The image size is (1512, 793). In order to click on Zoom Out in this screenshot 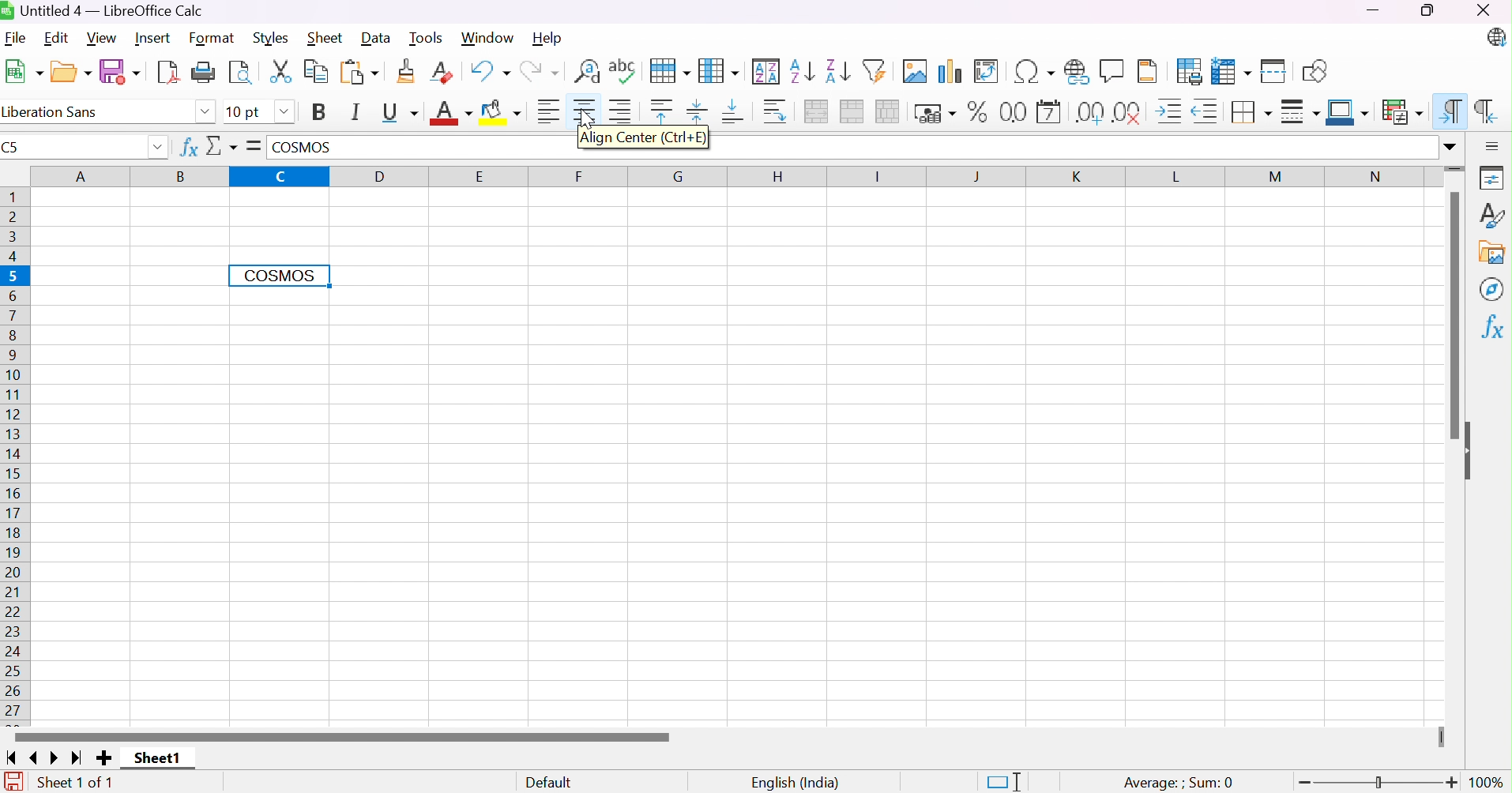, I will do `click(1300, 783)`.